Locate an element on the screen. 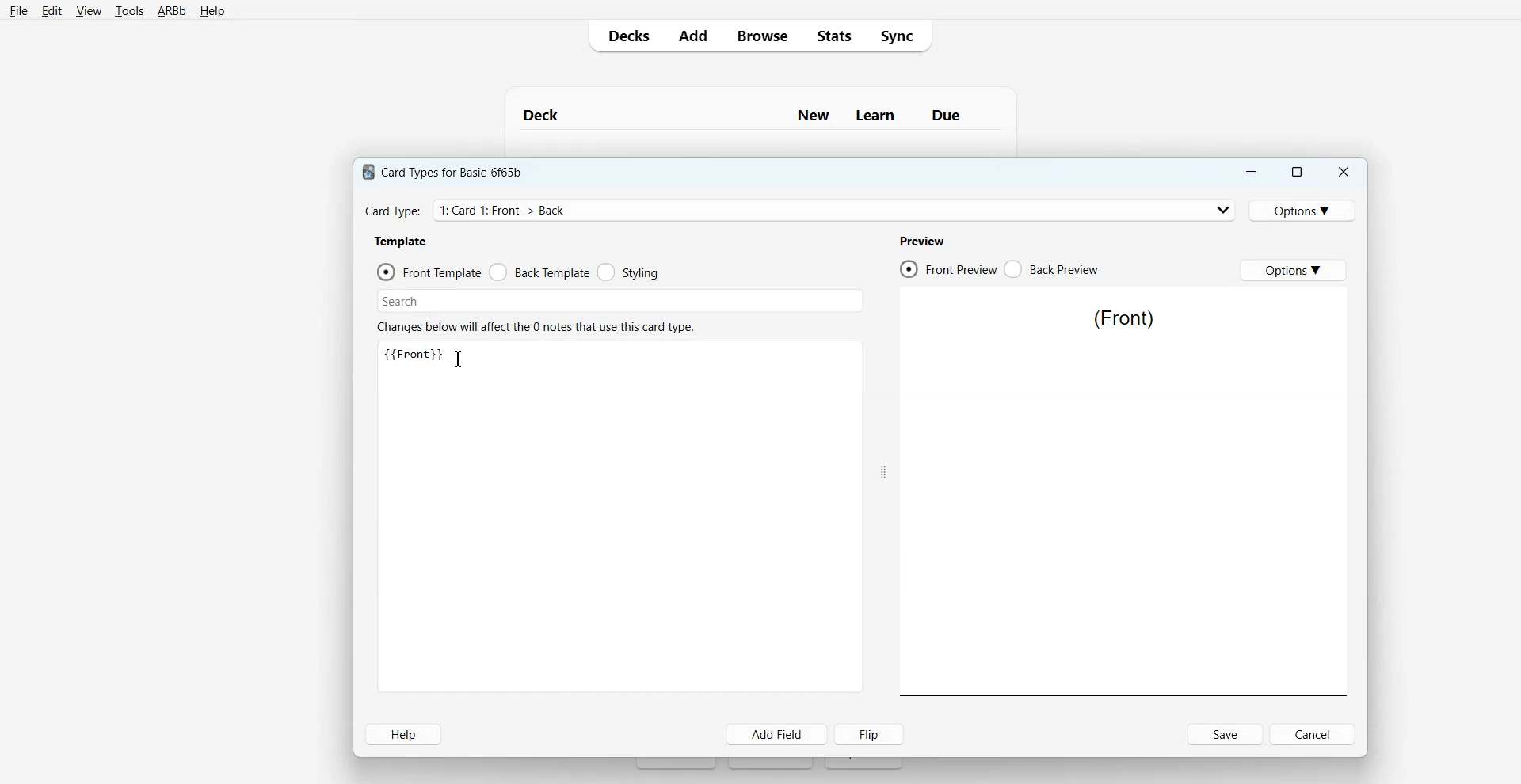  Add Field is located at coordinates (777, 734).